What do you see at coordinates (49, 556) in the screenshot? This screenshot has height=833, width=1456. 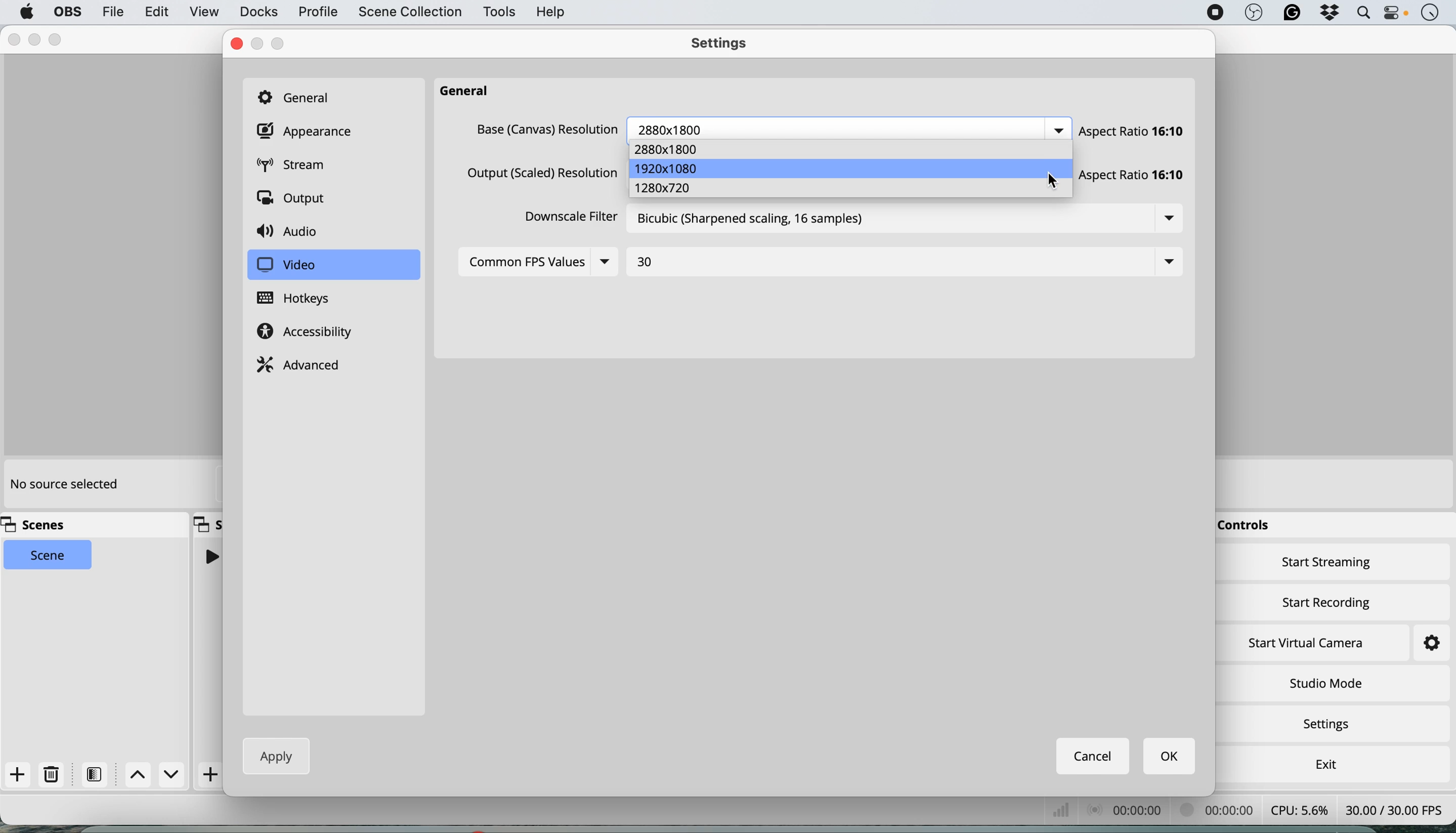 I see `scene` at bounding box center [49, 556].